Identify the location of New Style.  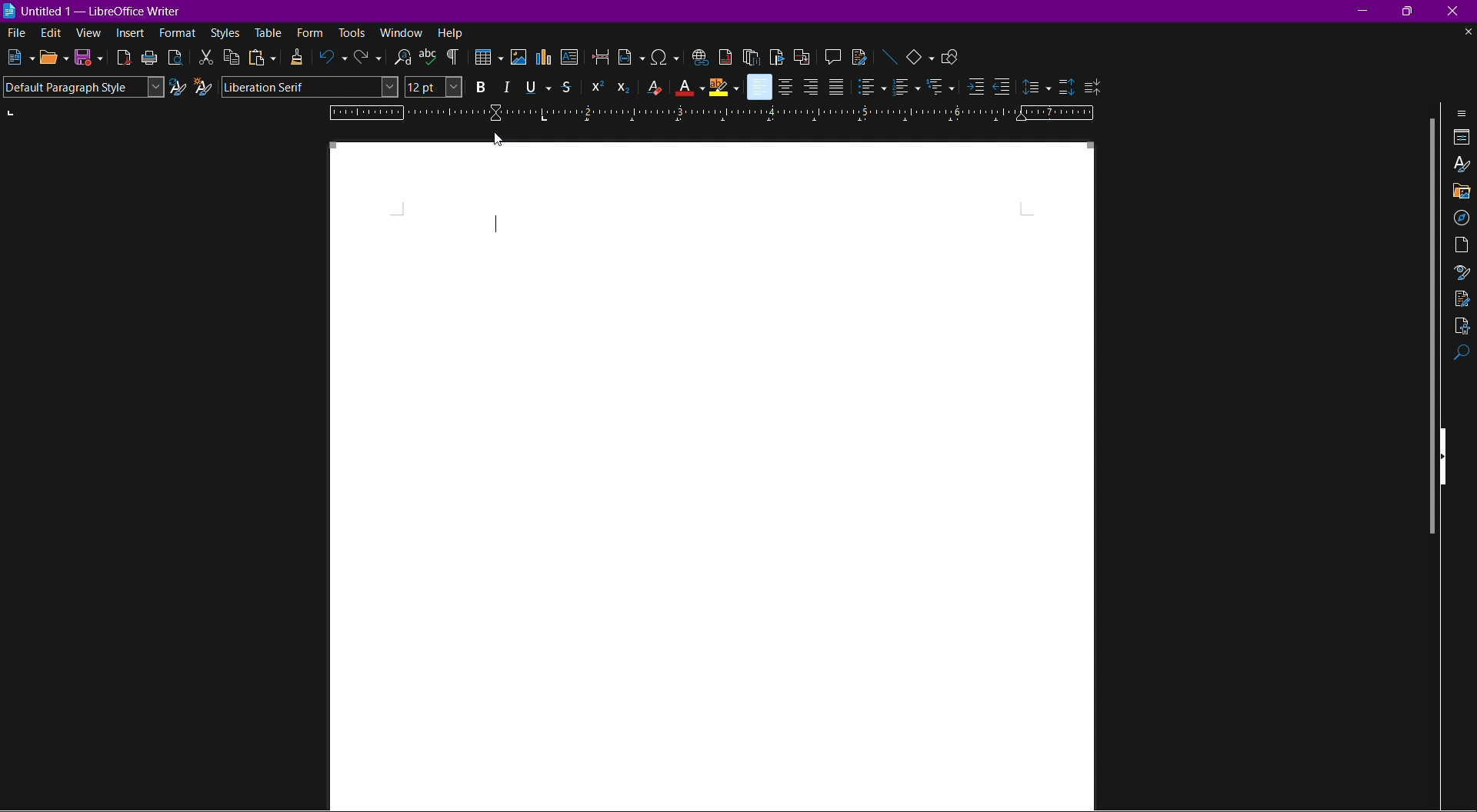
(205, 87).